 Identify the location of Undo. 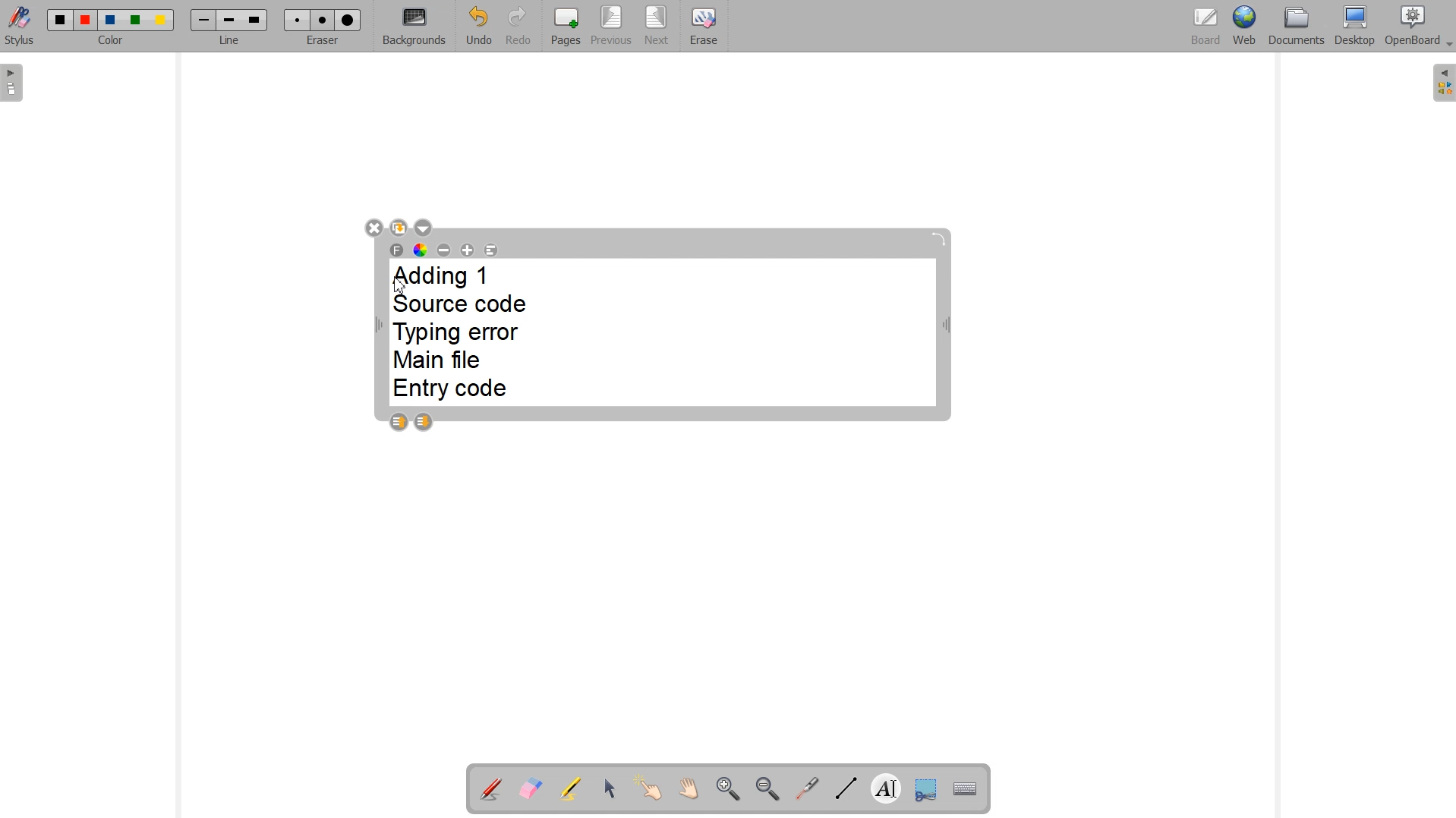
(477, 26).